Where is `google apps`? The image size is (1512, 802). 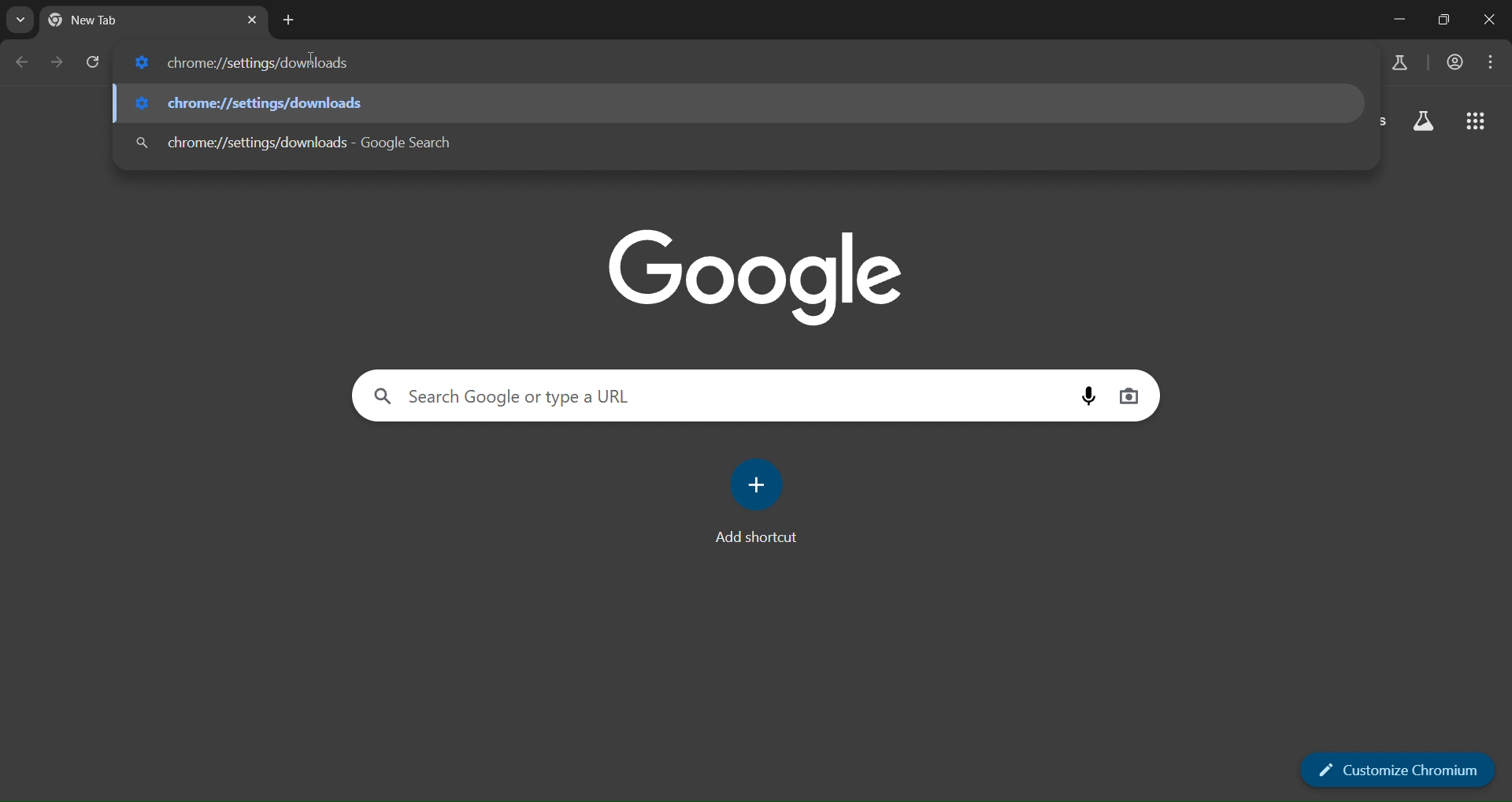 google apps is located at coordinates (1473, 121).